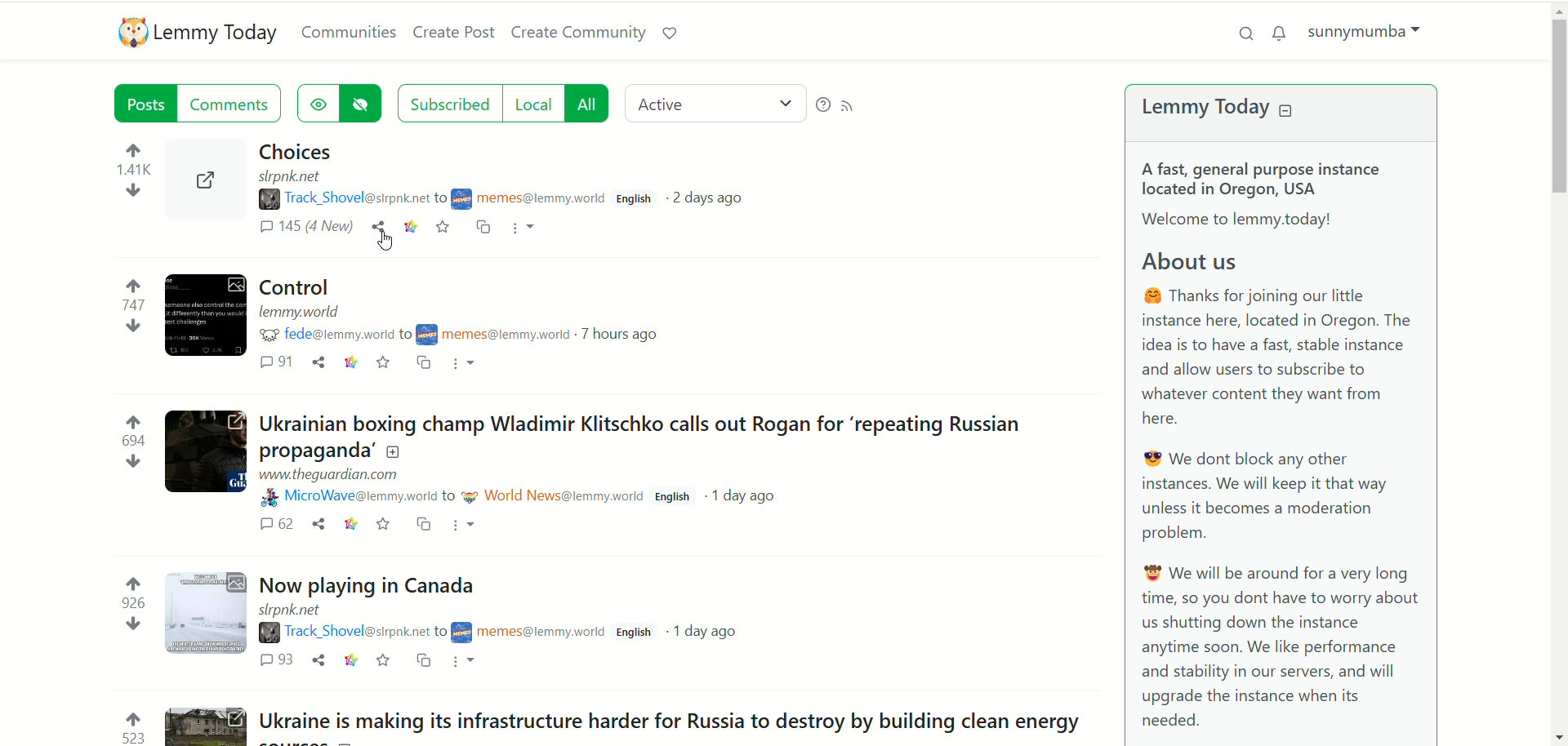  Describe the element at coordinates (674, 497) in the screenshot. I see `english` at that location.